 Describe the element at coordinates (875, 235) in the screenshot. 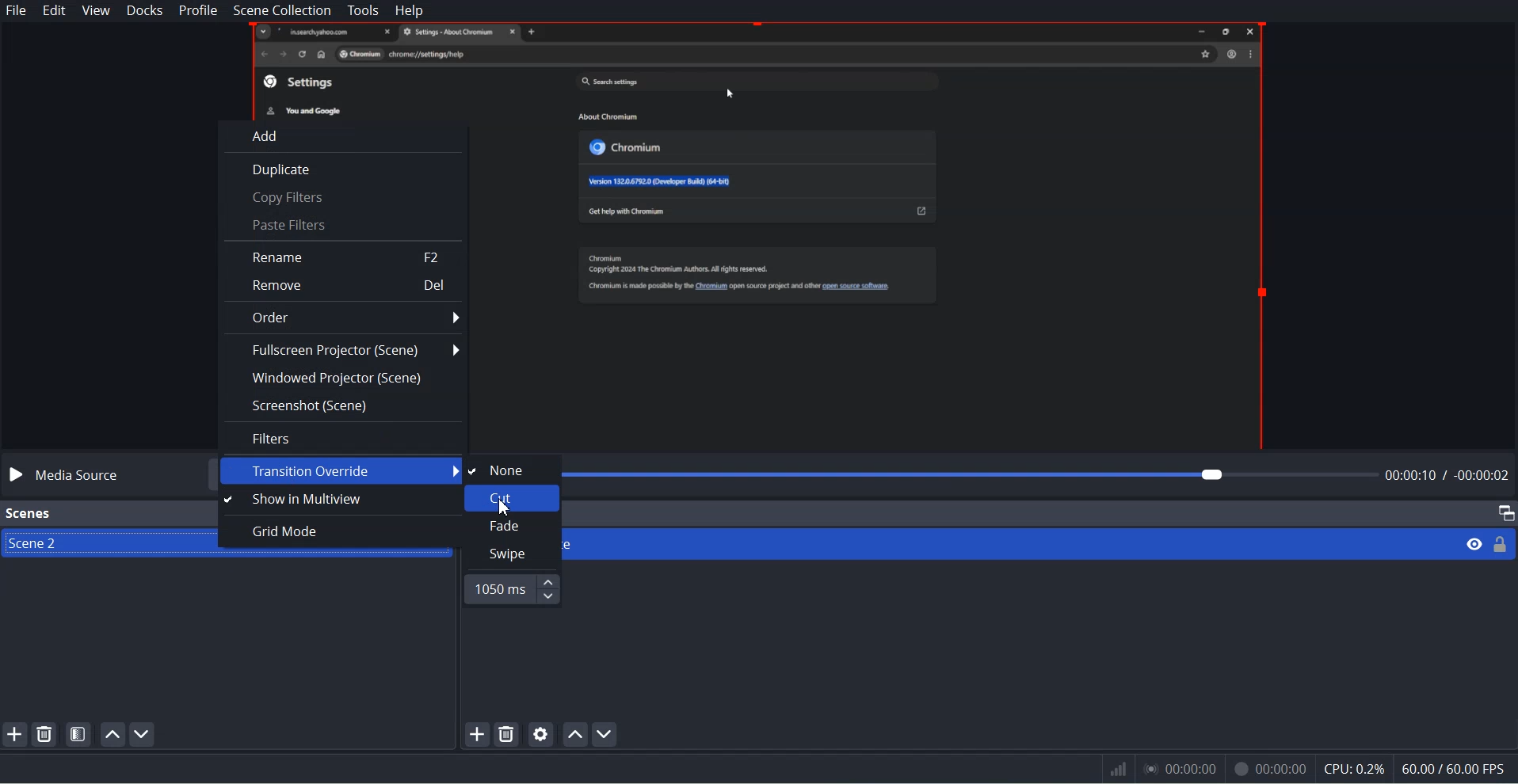

I see `File Preview window` at that location.